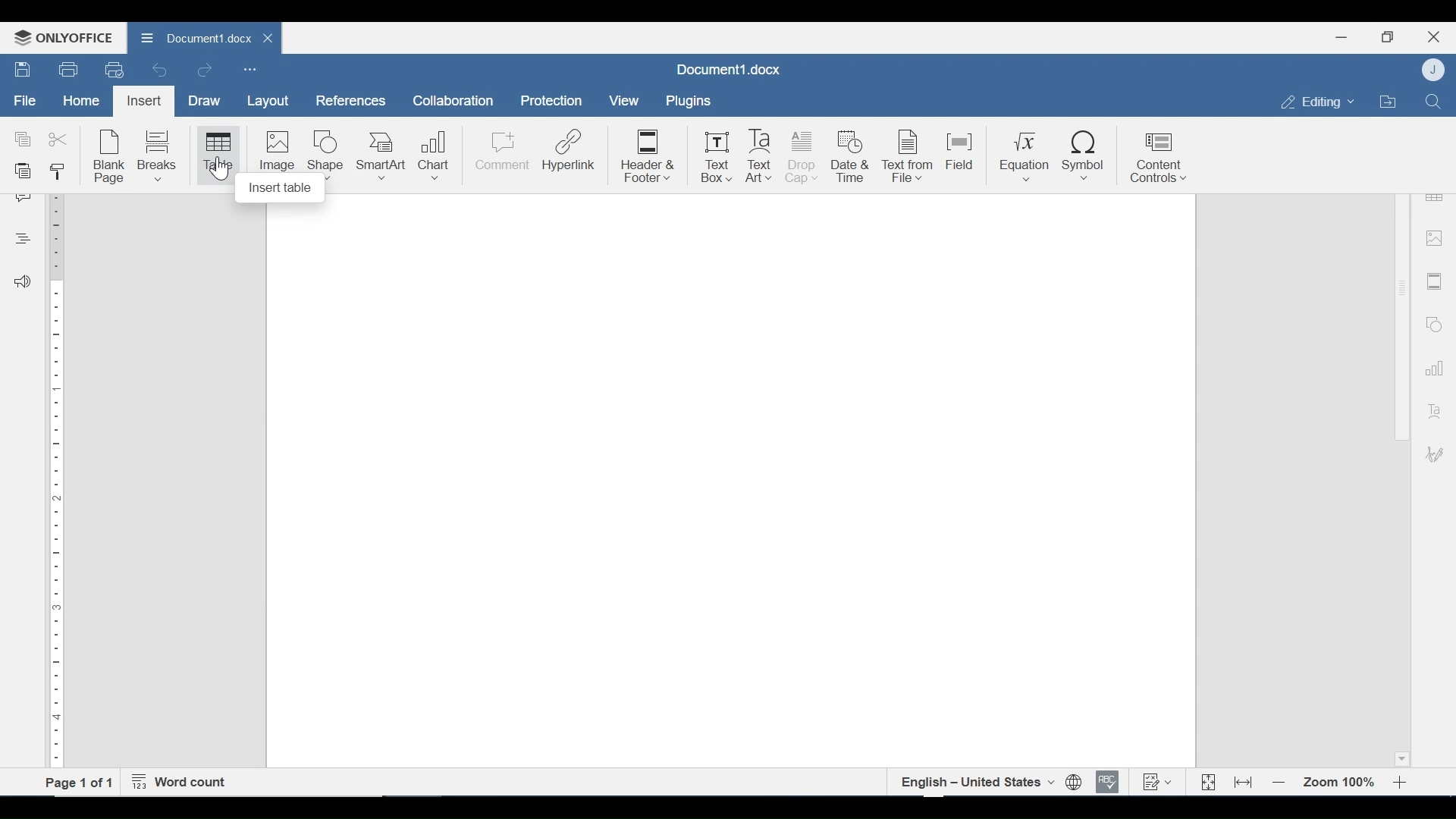  What do you see at coordinates (22, 237) in the screenshot?
I see `Headings` at bounding box center [22, 237].